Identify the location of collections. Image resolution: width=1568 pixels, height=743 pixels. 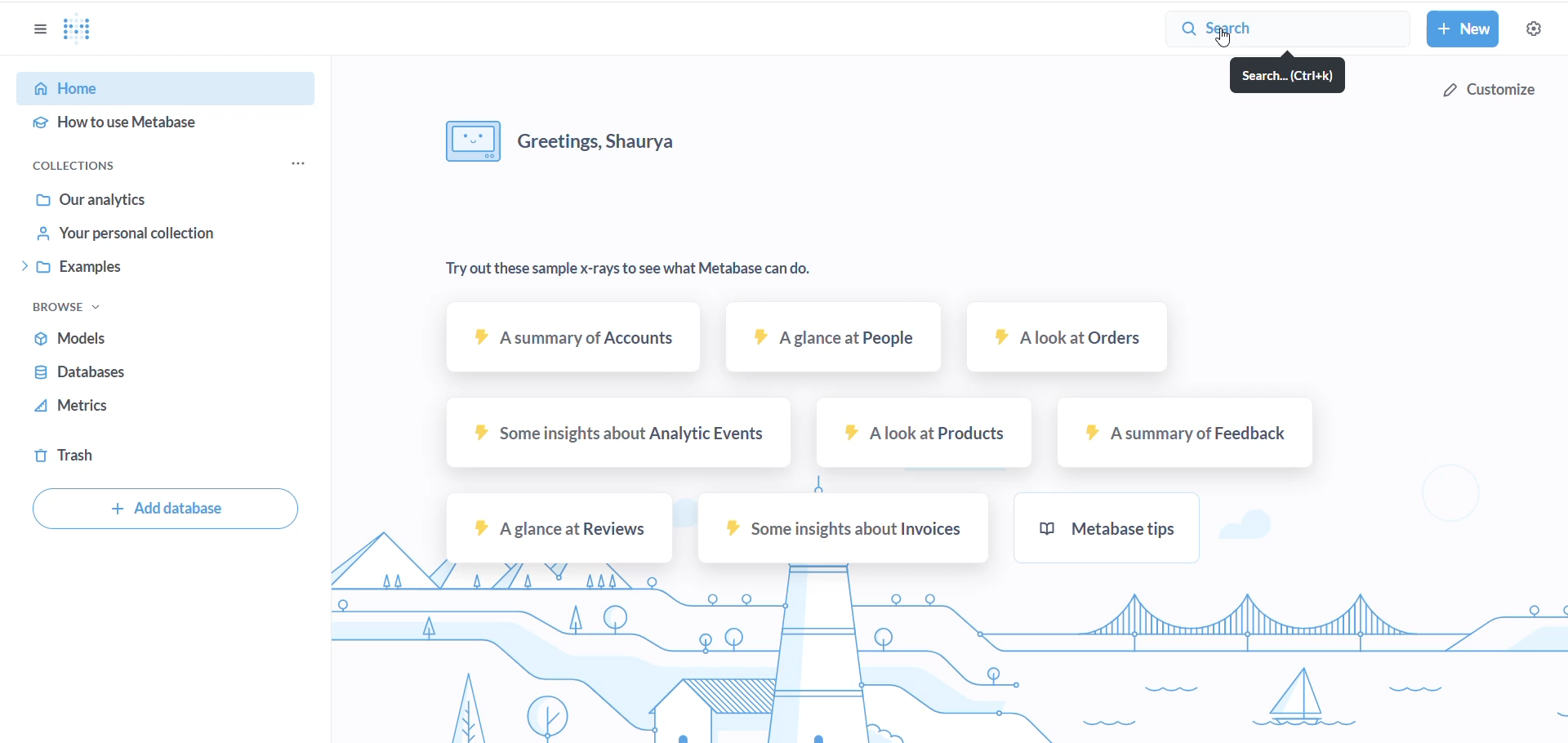
(89, 167).